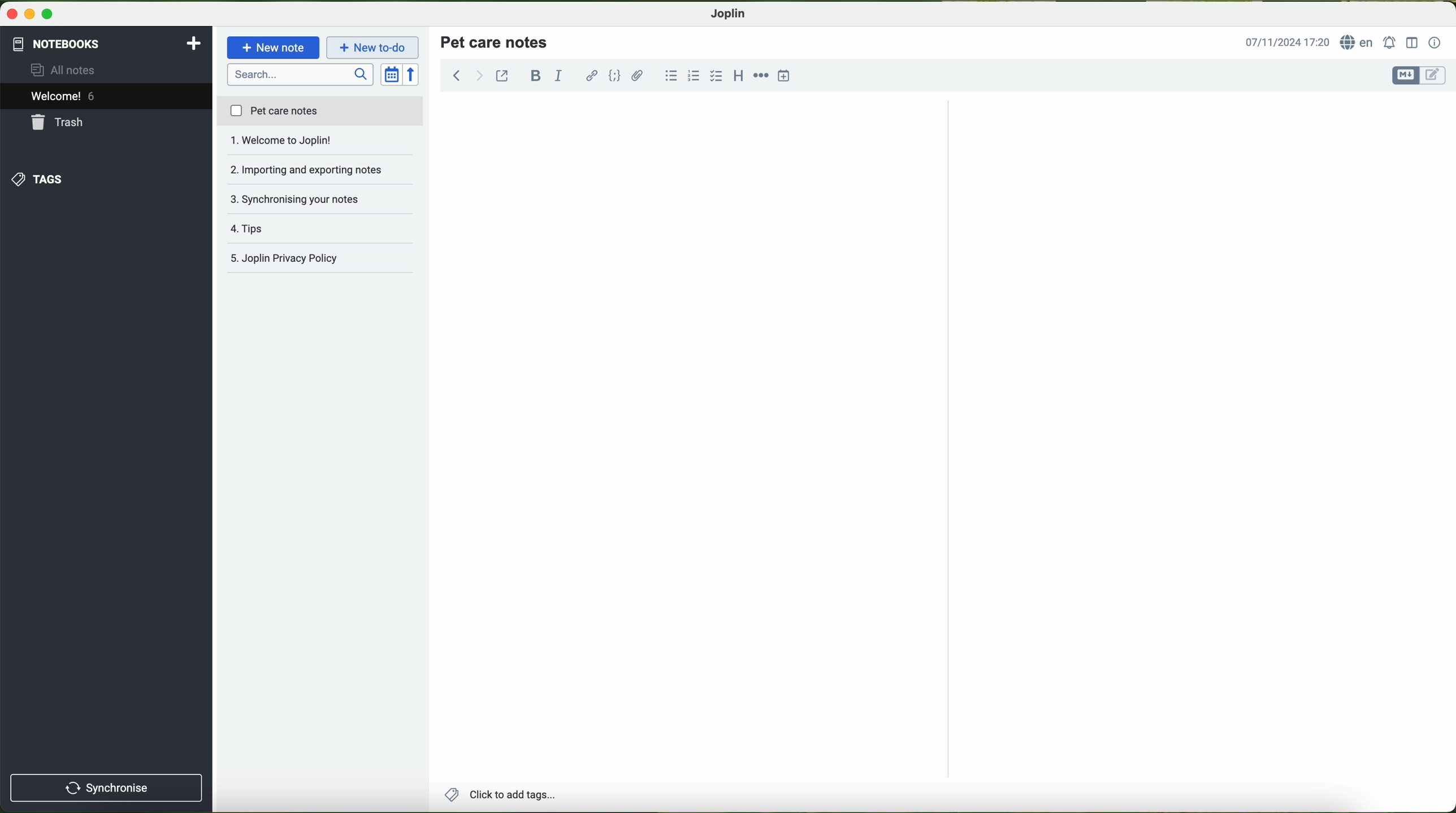 The height and width of the screenshot is (813, 1456). Describe the element at coordinates (55, 42) in the screenshot. I see `notebooks` at that location.